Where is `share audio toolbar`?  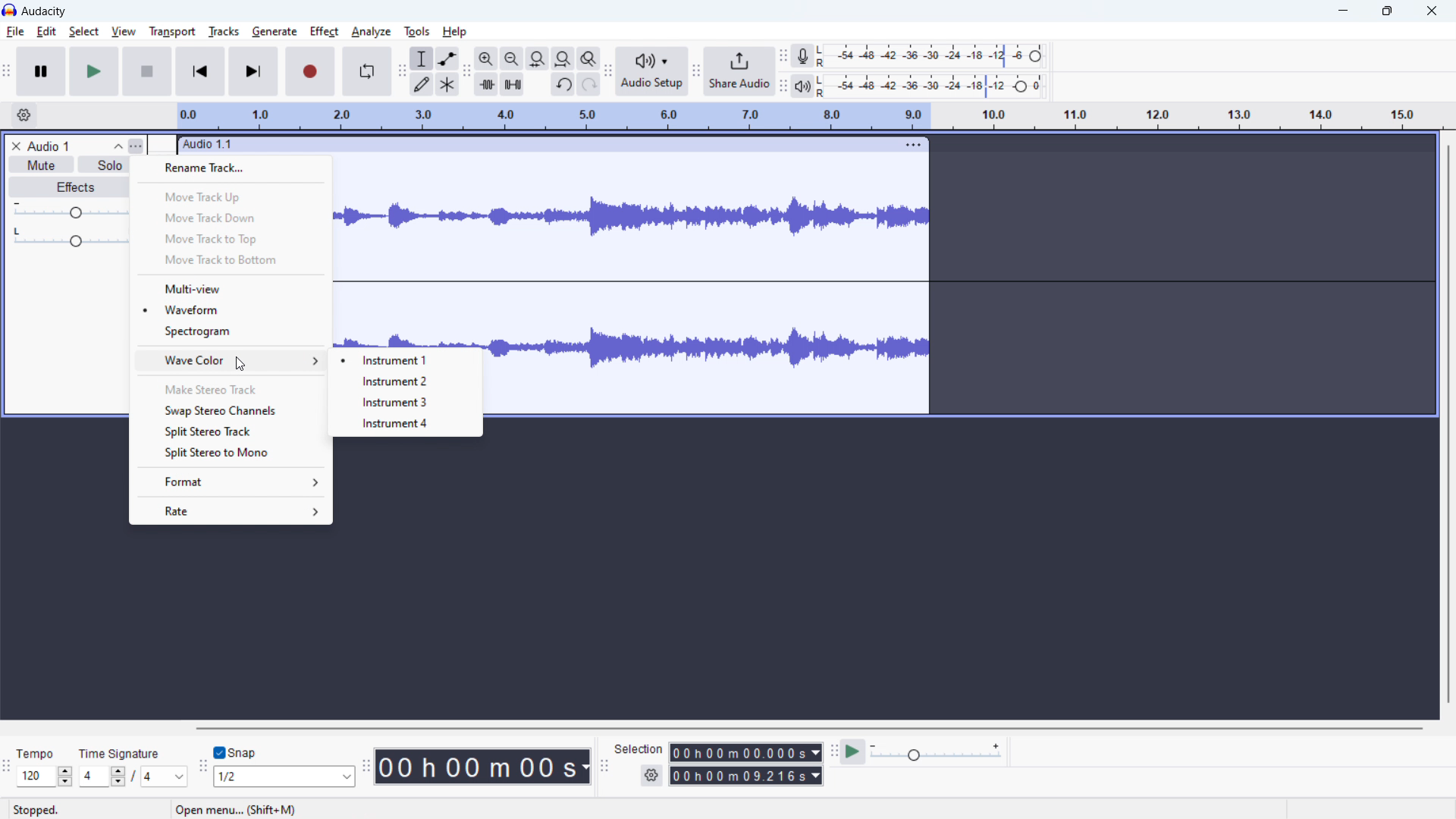 share audio toolbar is located at coordinates (695, 73).